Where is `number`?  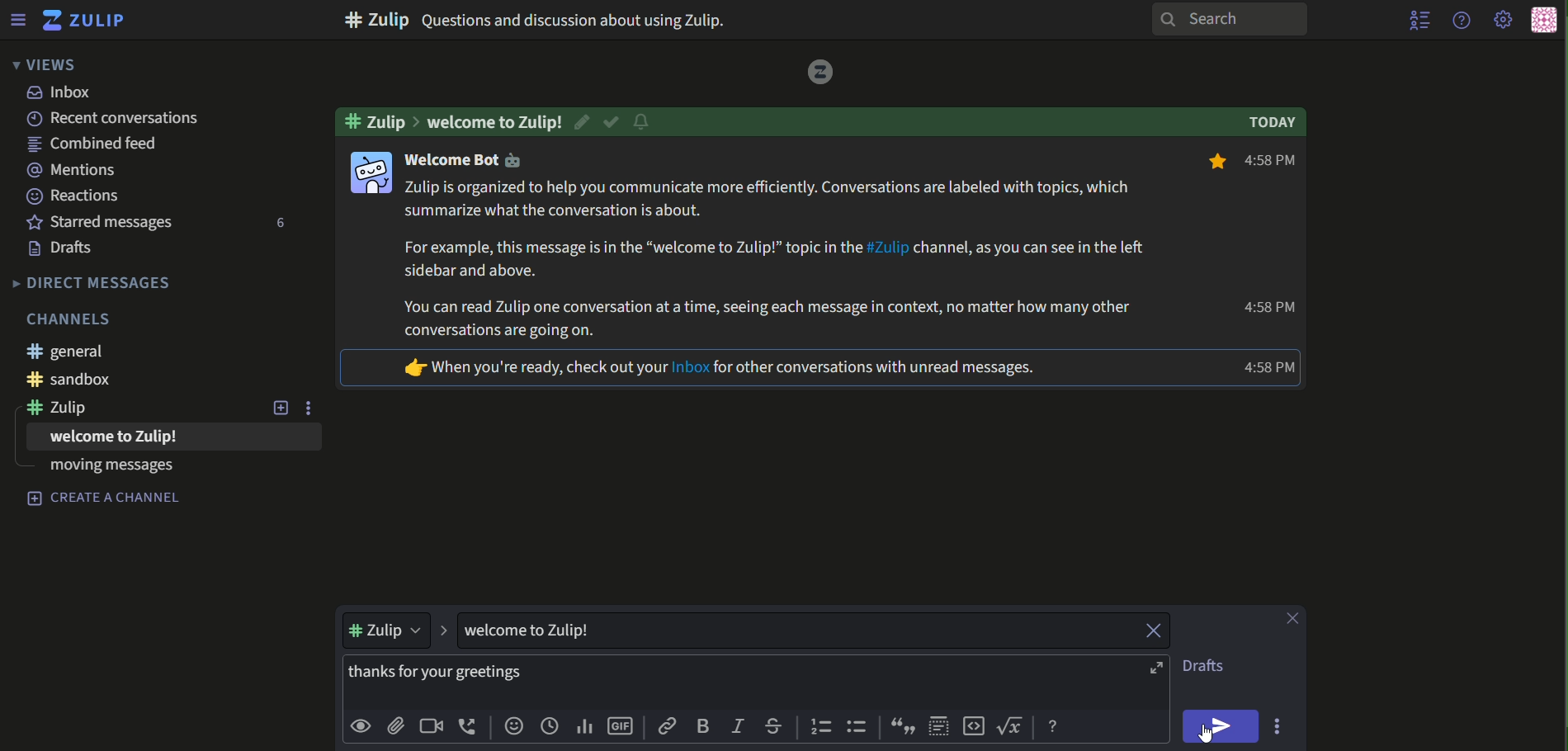 number is located at coordinates (276, 224).